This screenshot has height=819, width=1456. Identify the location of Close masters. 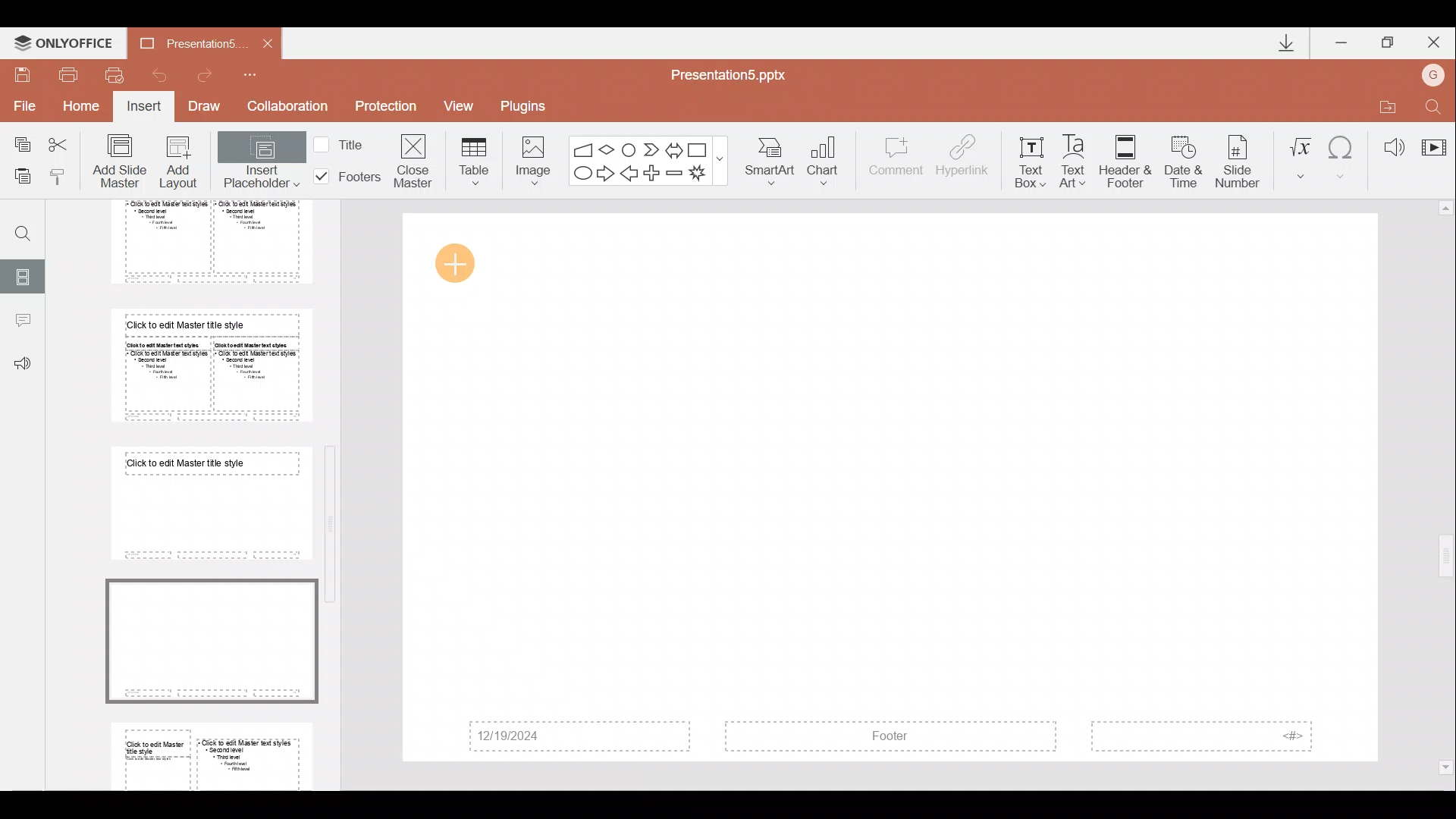
(415, 160).